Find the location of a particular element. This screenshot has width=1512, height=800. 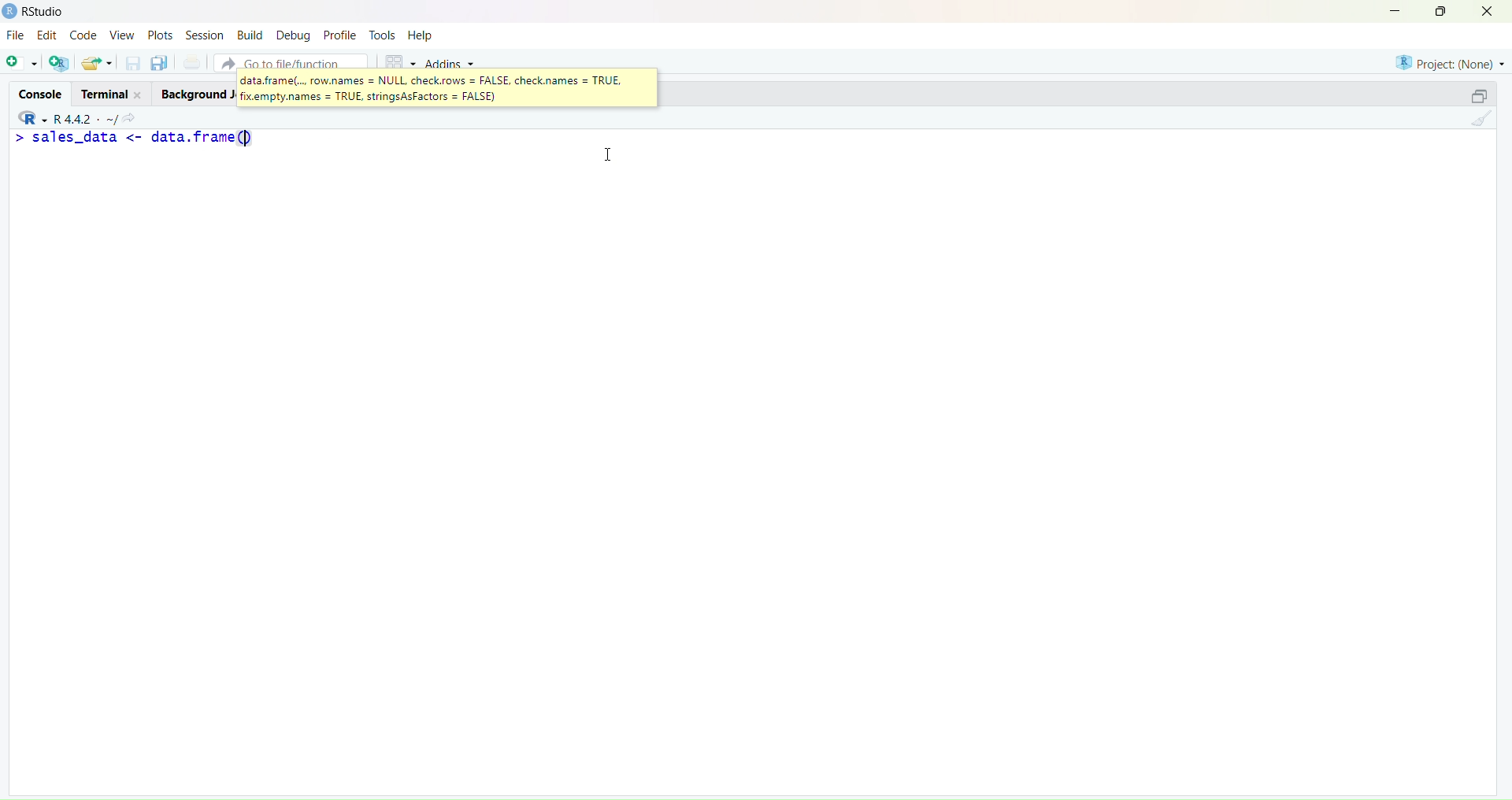

Build is located at coordinates (249, 35).